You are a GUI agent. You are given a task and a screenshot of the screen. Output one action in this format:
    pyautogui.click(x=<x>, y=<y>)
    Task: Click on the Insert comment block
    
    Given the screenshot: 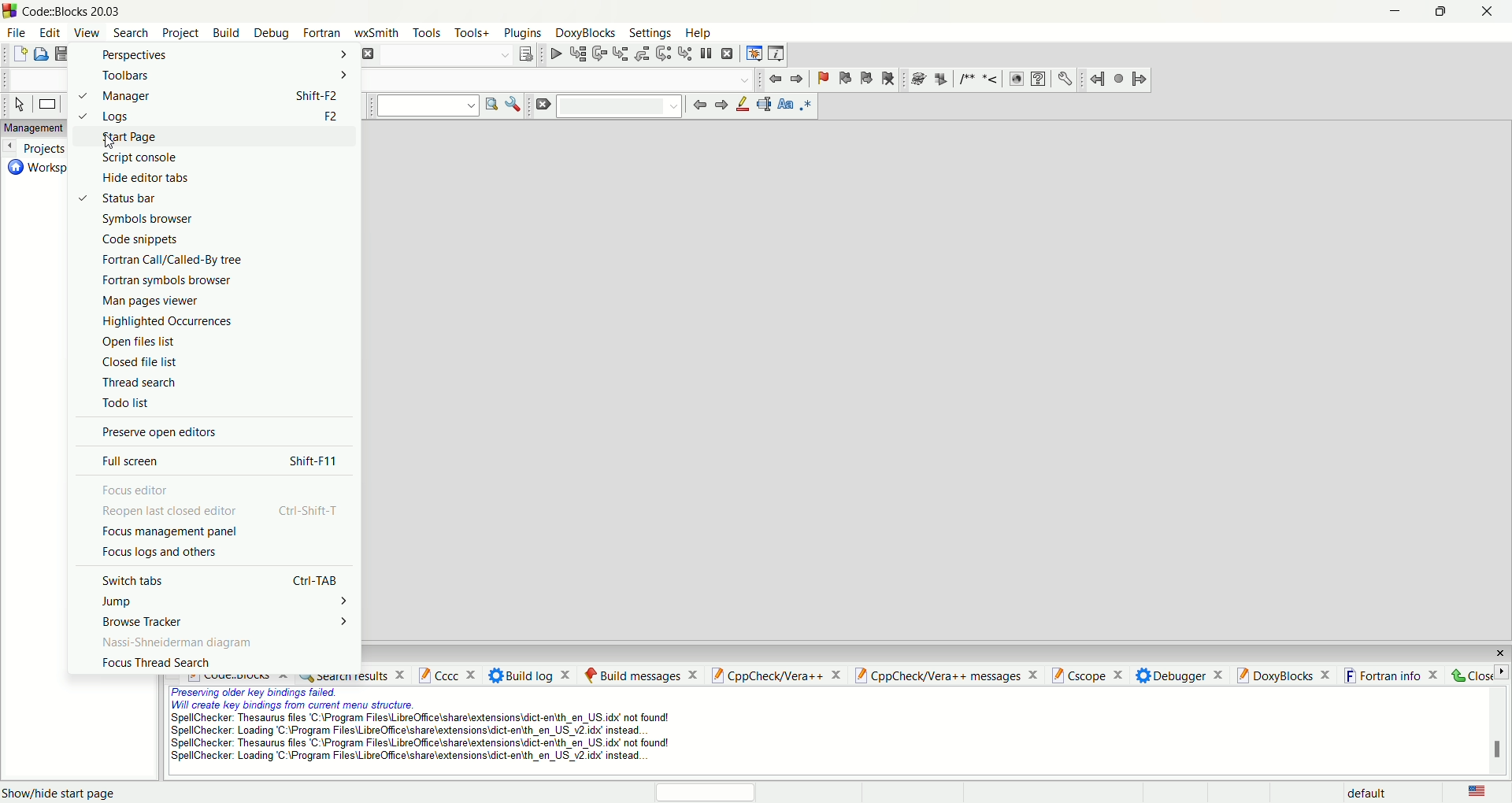 What is the action you would take?
    pyautogui.click(x=965, y=78)
    